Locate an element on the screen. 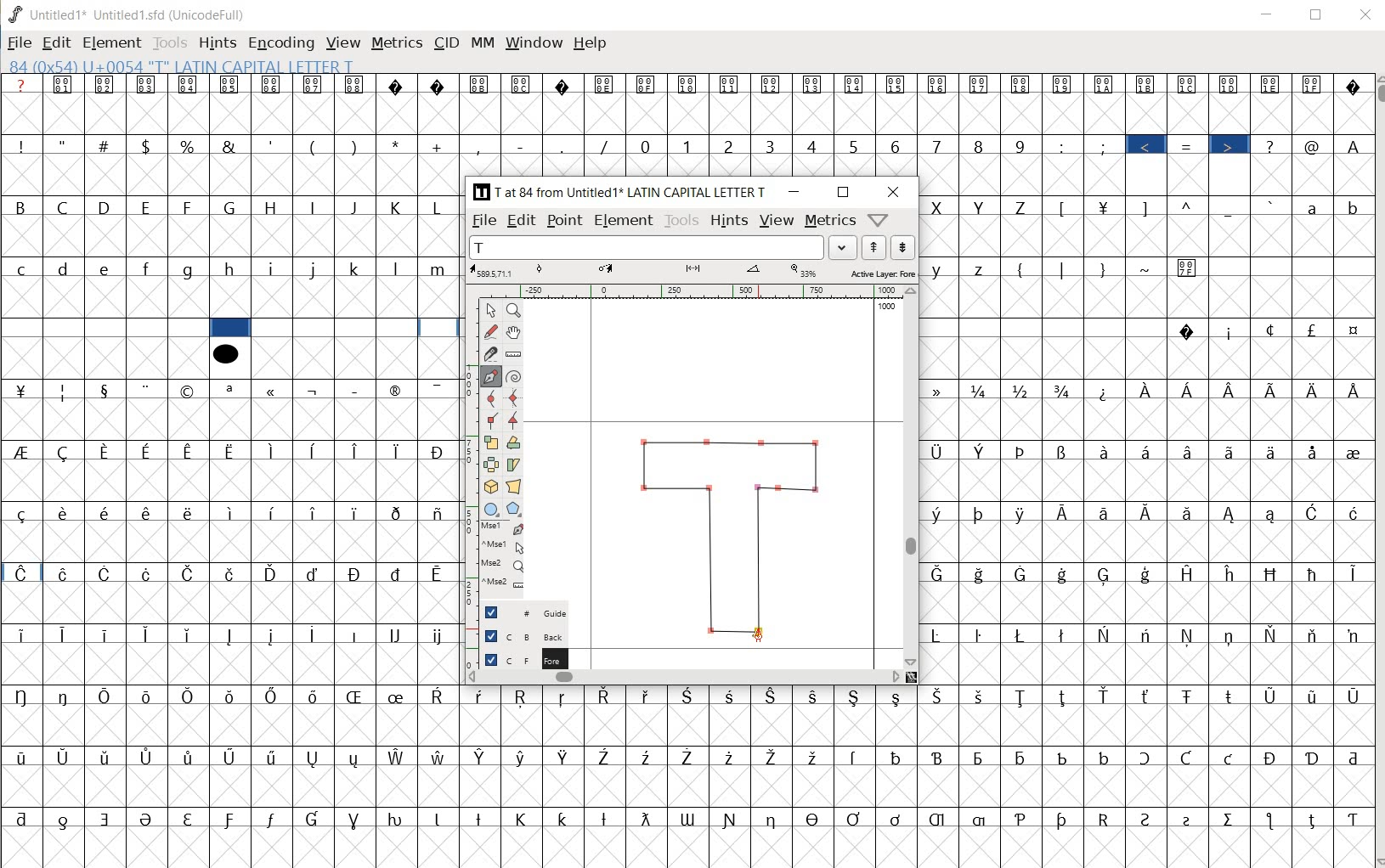 The width and height of the screenshot is (1385, 868). Symbol is located at coordinates (232, 821).